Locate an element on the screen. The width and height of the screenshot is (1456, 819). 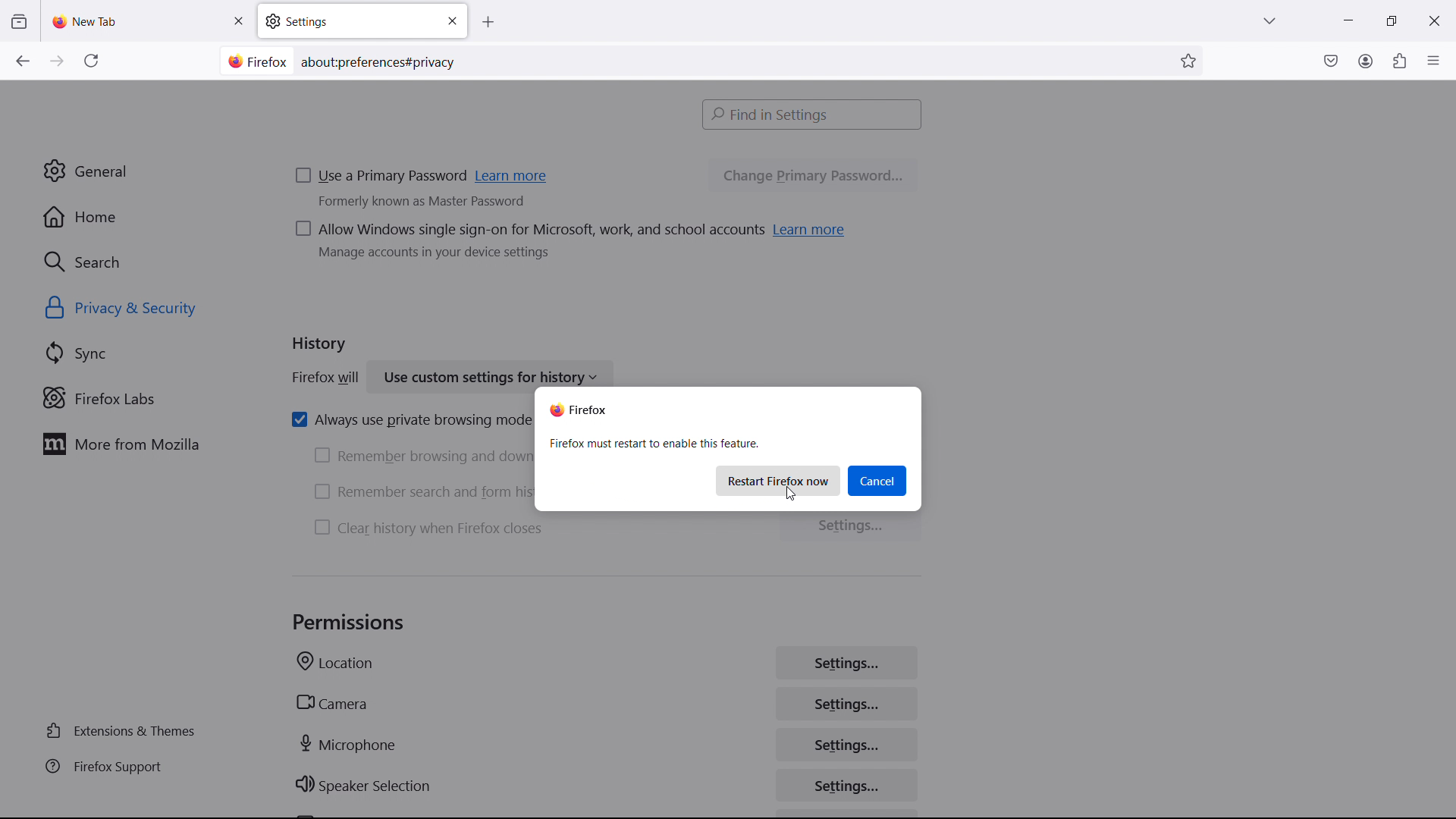
microphone is located at coordinates (350, 744).